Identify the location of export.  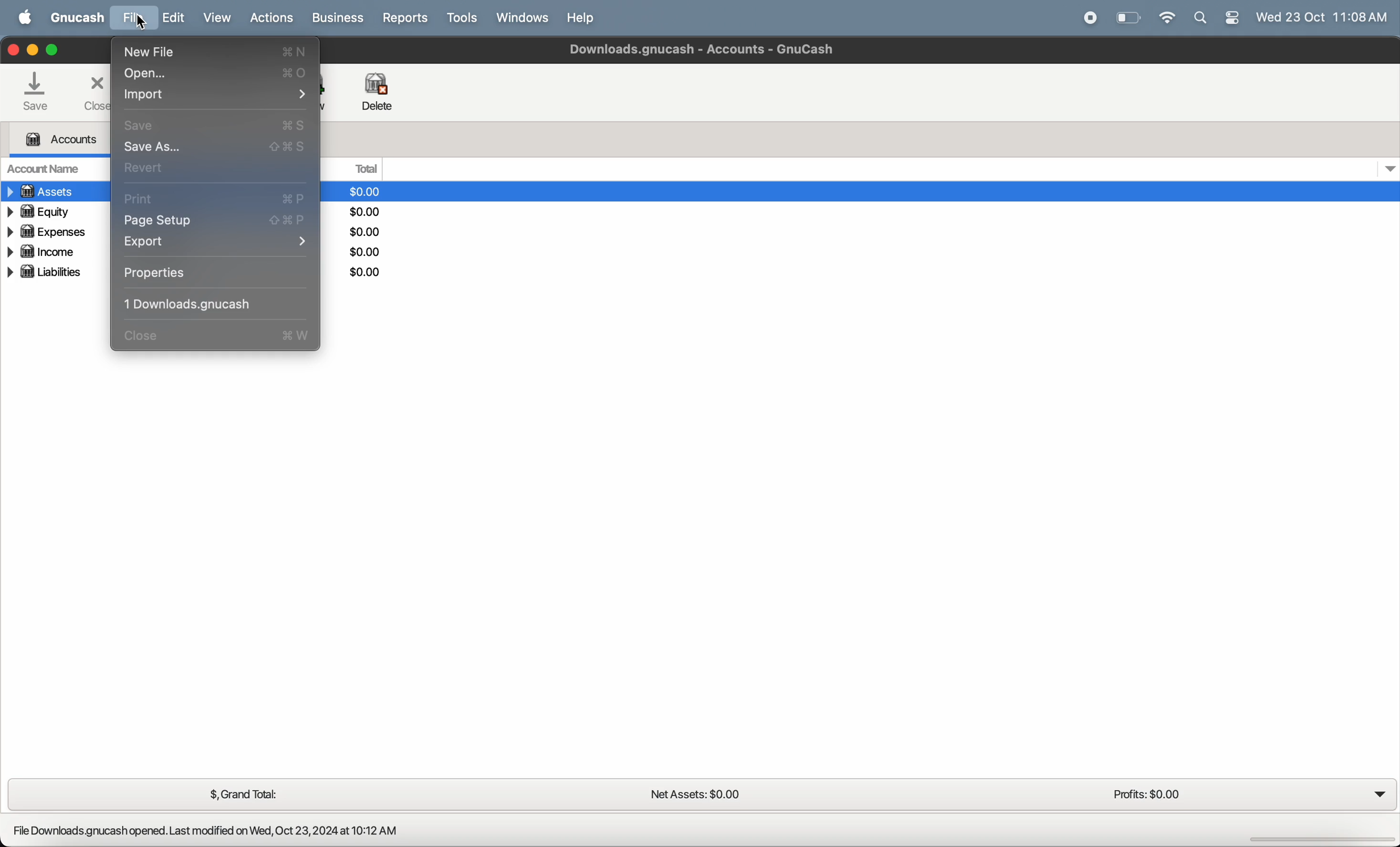
(215, 243).